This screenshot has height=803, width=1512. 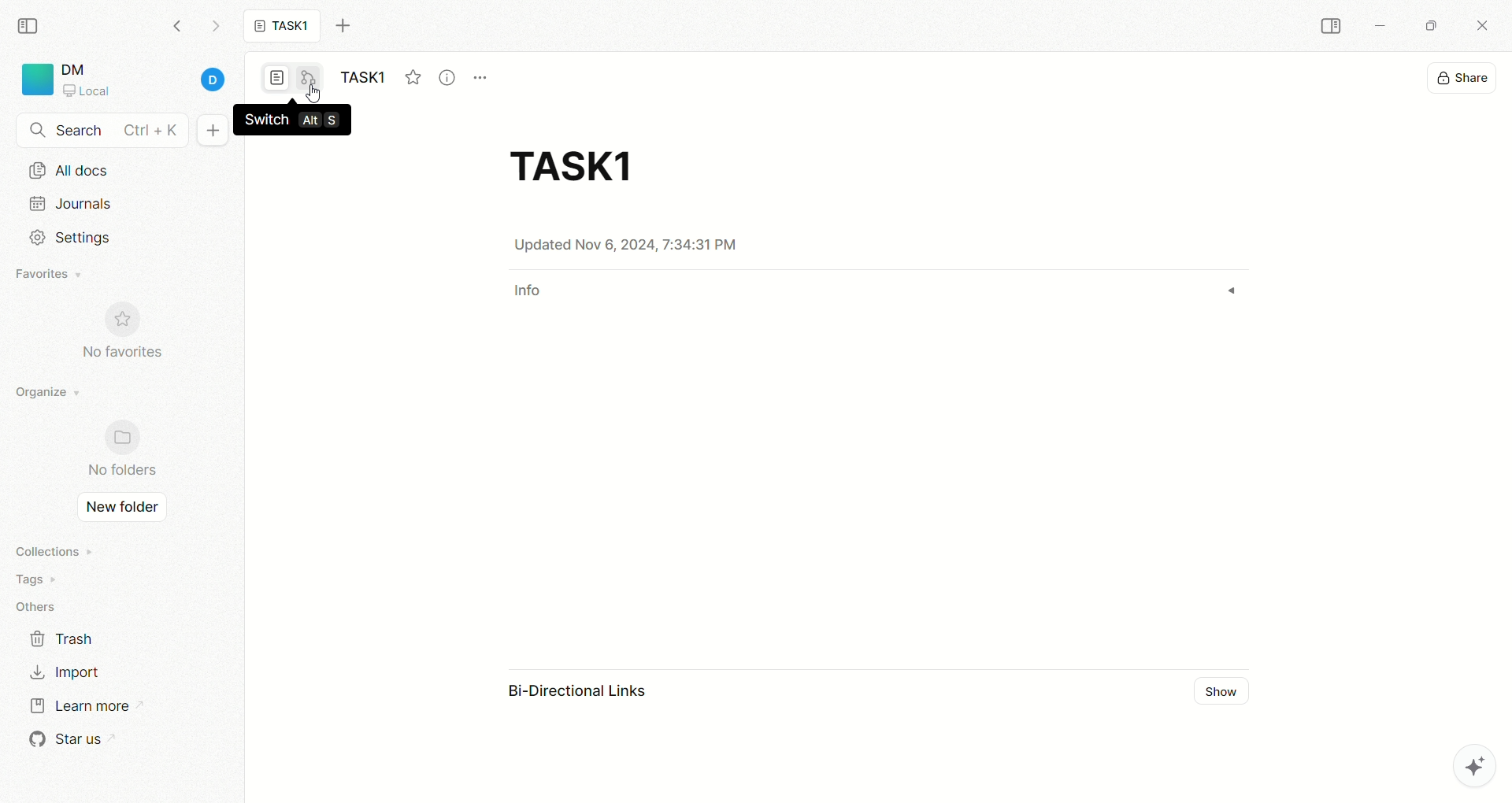 What do you see at coordinates (130, 340) in the screenshot?
I see `no favorites` at bounding box center [130, 340].